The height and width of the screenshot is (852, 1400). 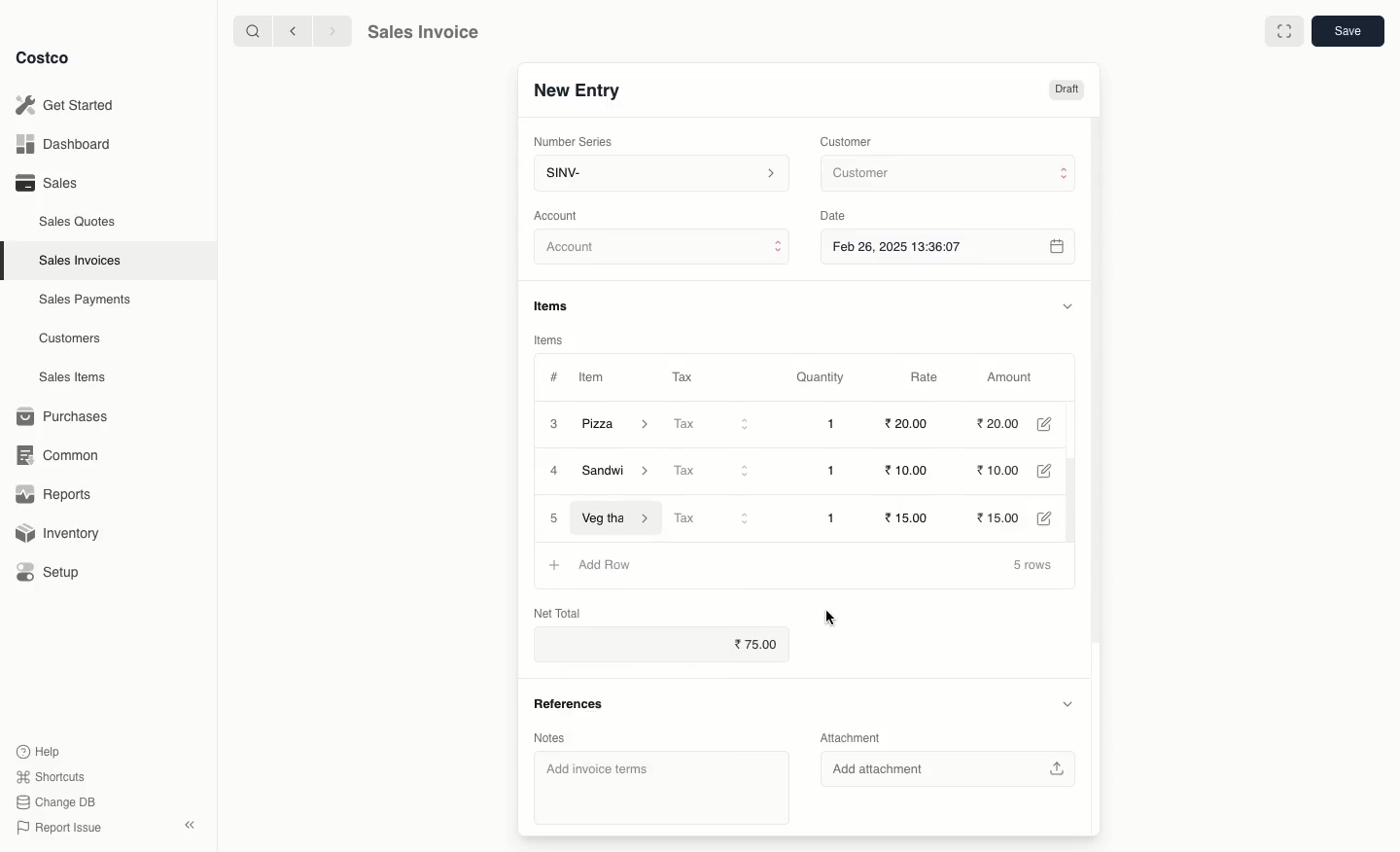 I want to click on ‘Add invoice terms, so click(x=654, y=787).